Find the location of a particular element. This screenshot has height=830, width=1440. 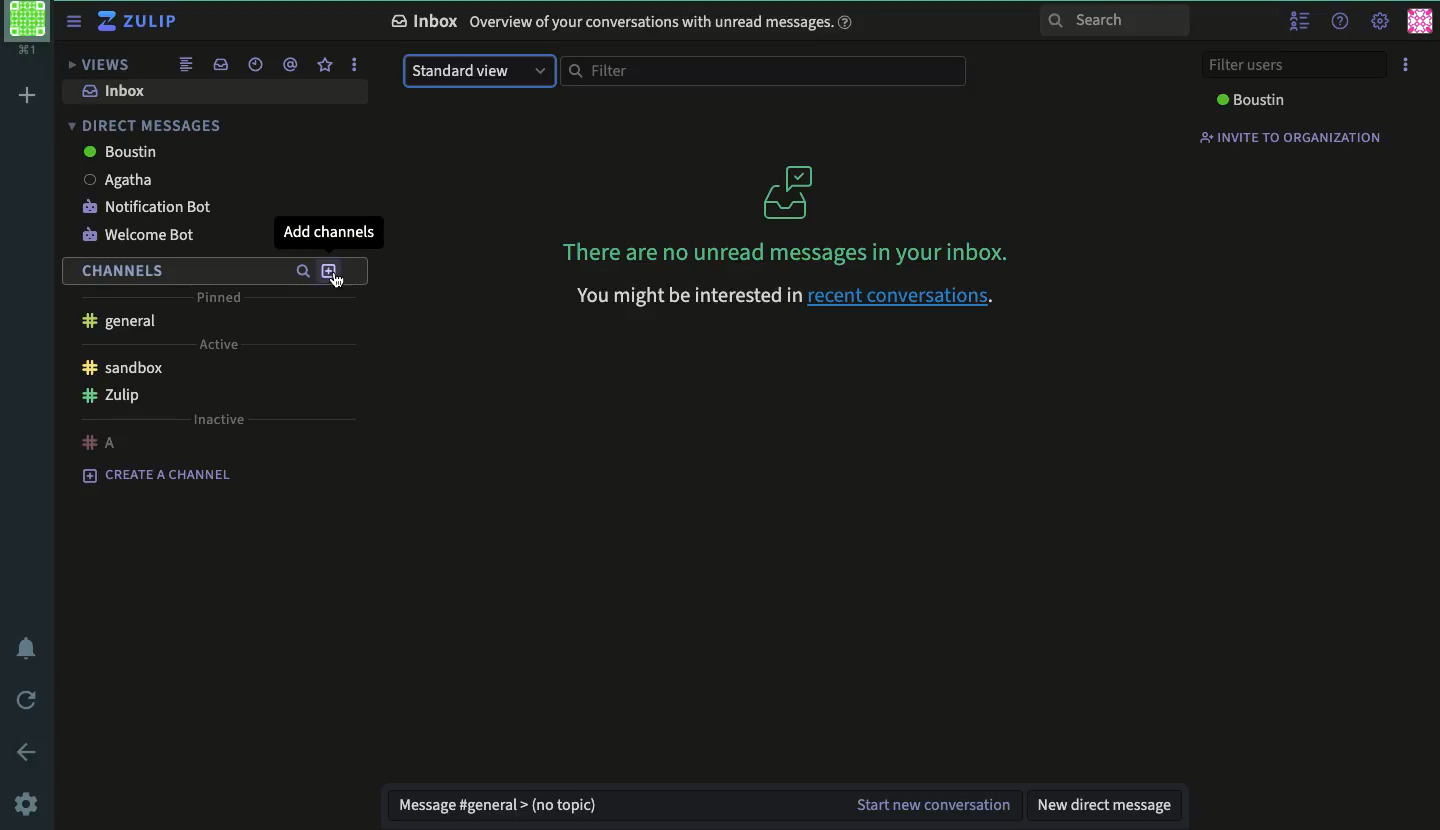

notification is located at coordinates (34, 652).